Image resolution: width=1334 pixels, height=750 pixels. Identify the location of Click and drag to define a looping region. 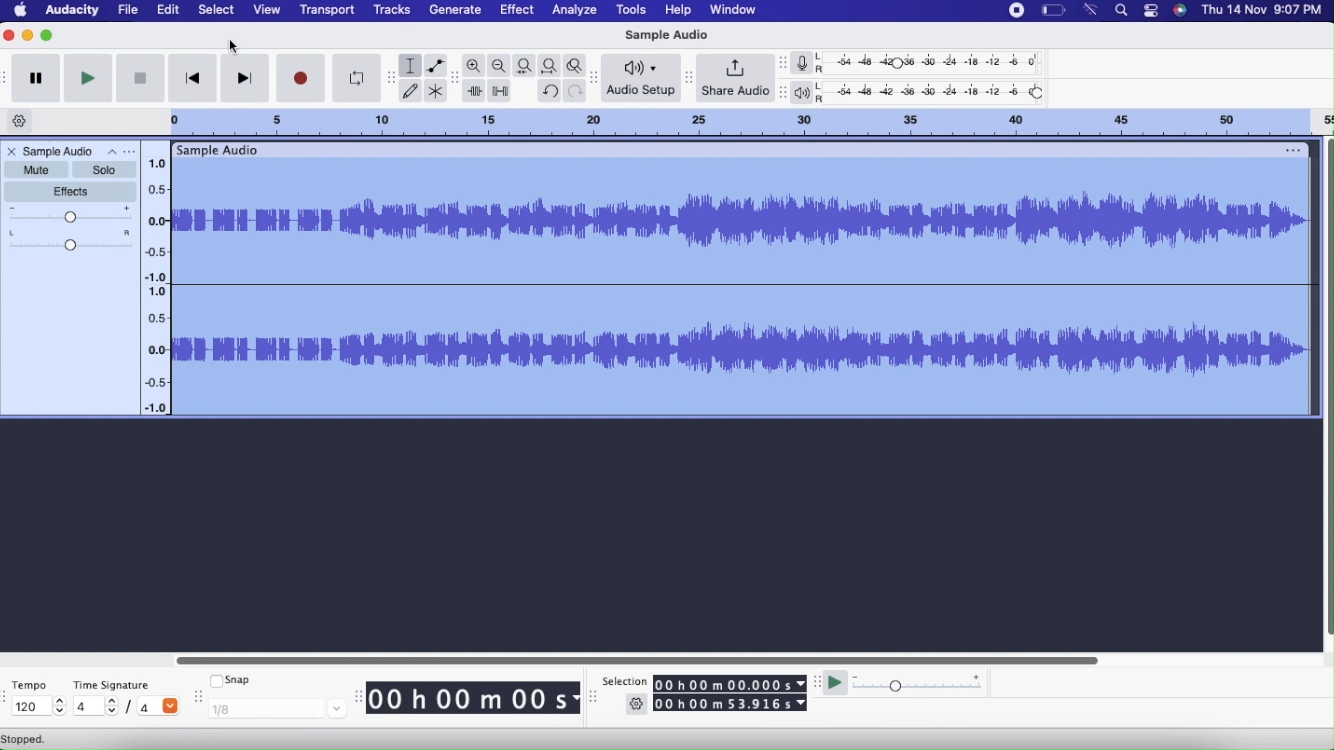
(740, 123).